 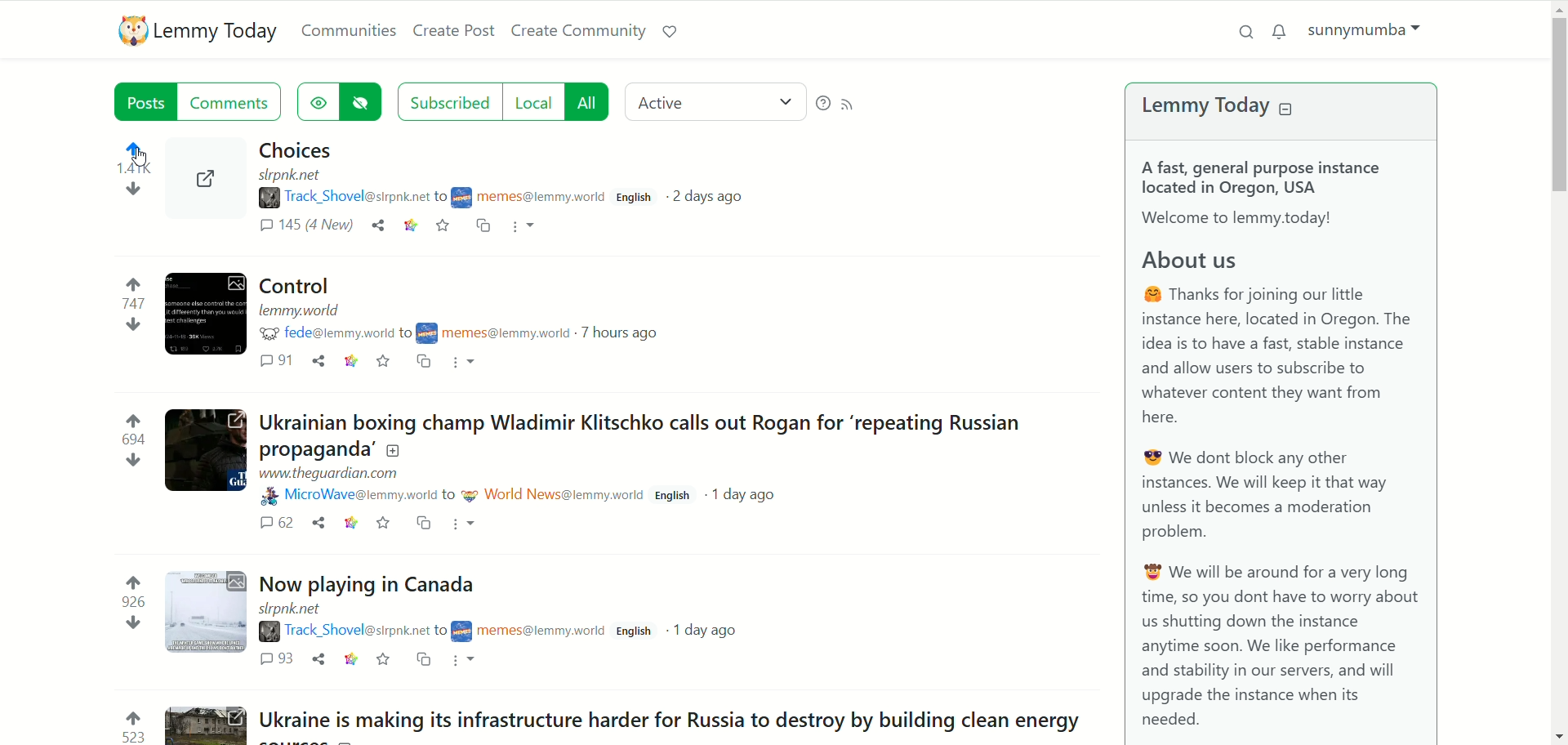 I want to click on | Welcome to lemmy.today!, so click(x=1253, y=219).